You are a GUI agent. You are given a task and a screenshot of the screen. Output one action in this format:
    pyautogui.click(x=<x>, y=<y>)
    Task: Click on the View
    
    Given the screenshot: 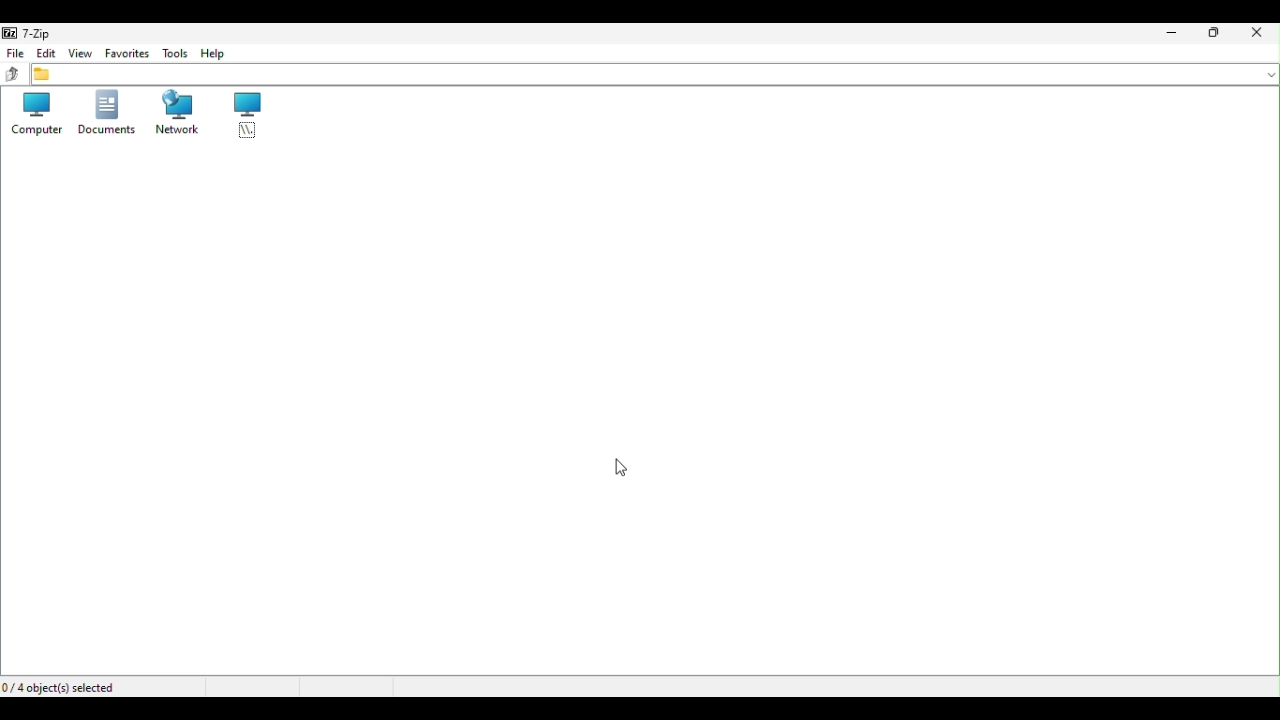 What is the action you would take?
    pyautogui.click(x=80, y=53)
    